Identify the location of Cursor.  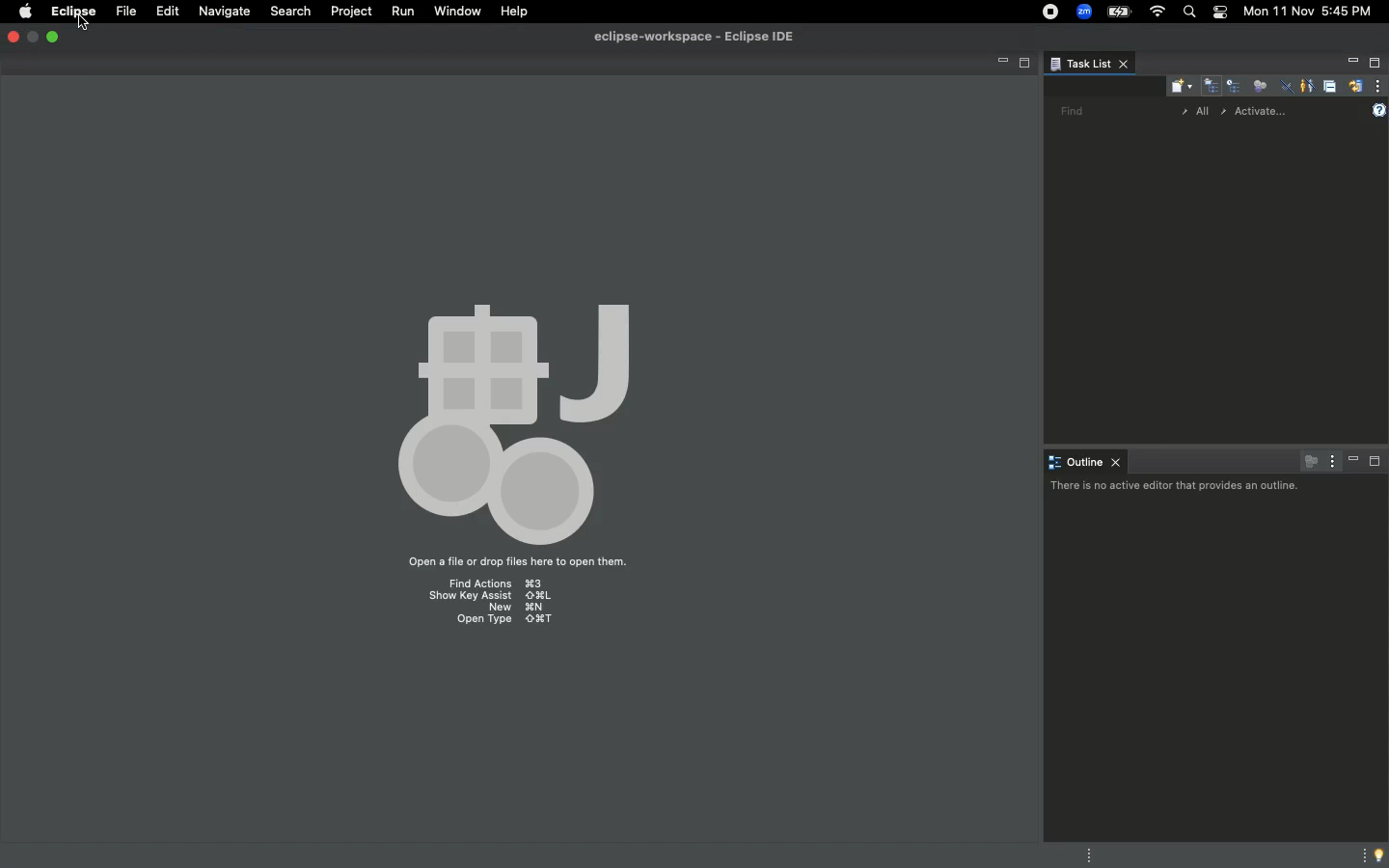
(84, 25).